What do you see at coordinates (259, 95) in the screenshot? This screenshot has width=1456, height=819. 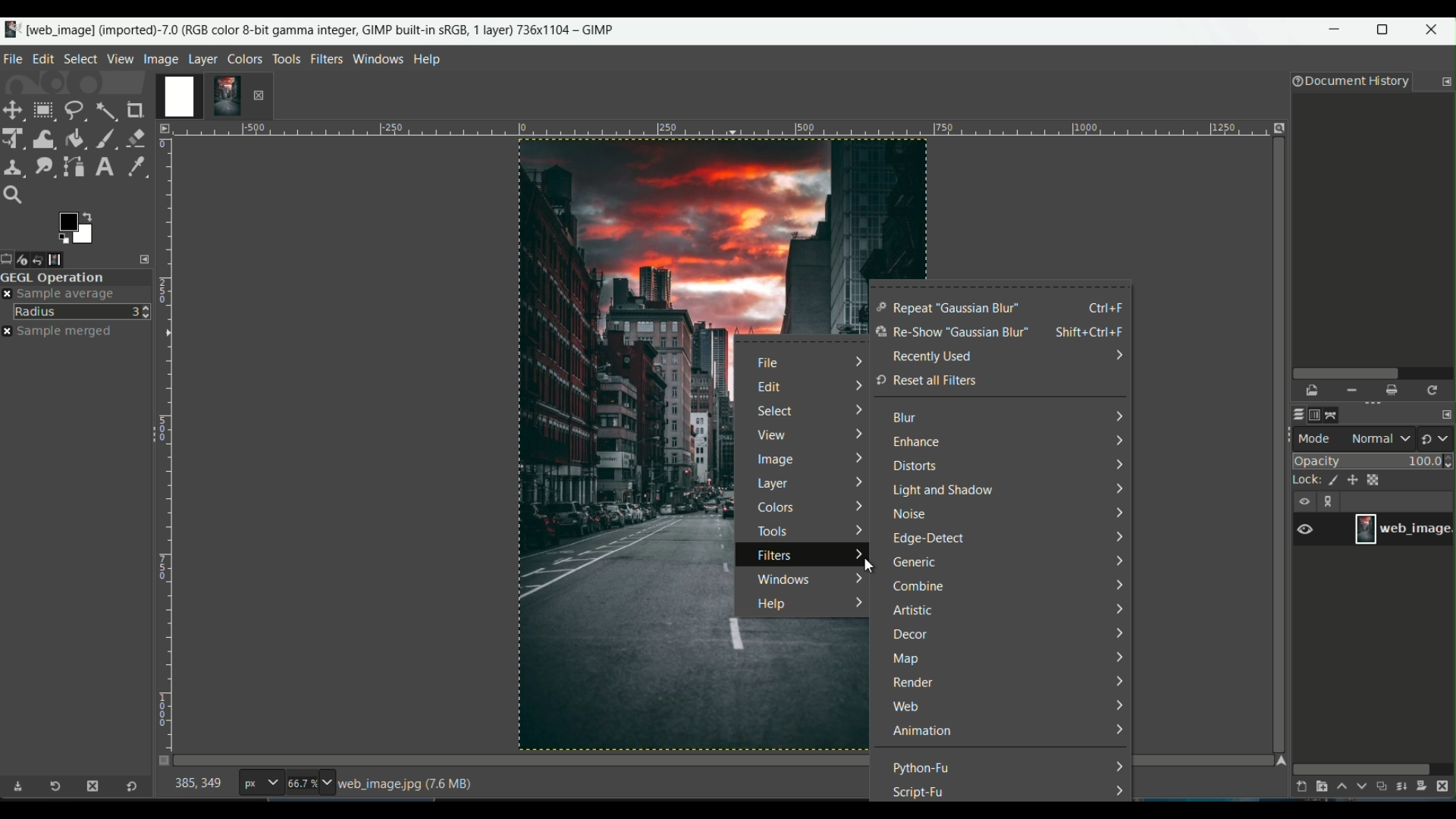 I see `remove image` at bounding box center [259, 95].